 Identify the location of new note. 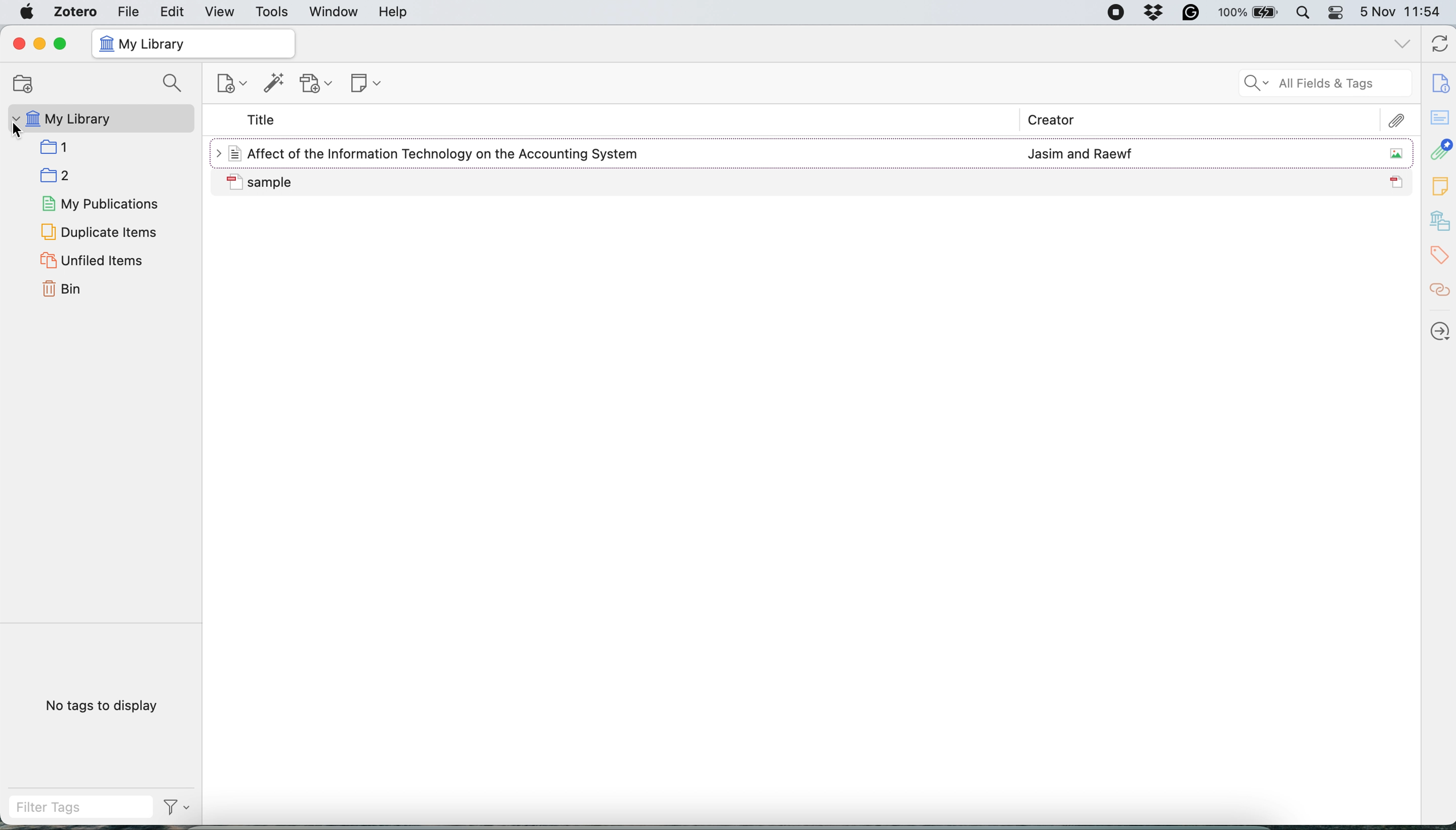
(1437, 183).